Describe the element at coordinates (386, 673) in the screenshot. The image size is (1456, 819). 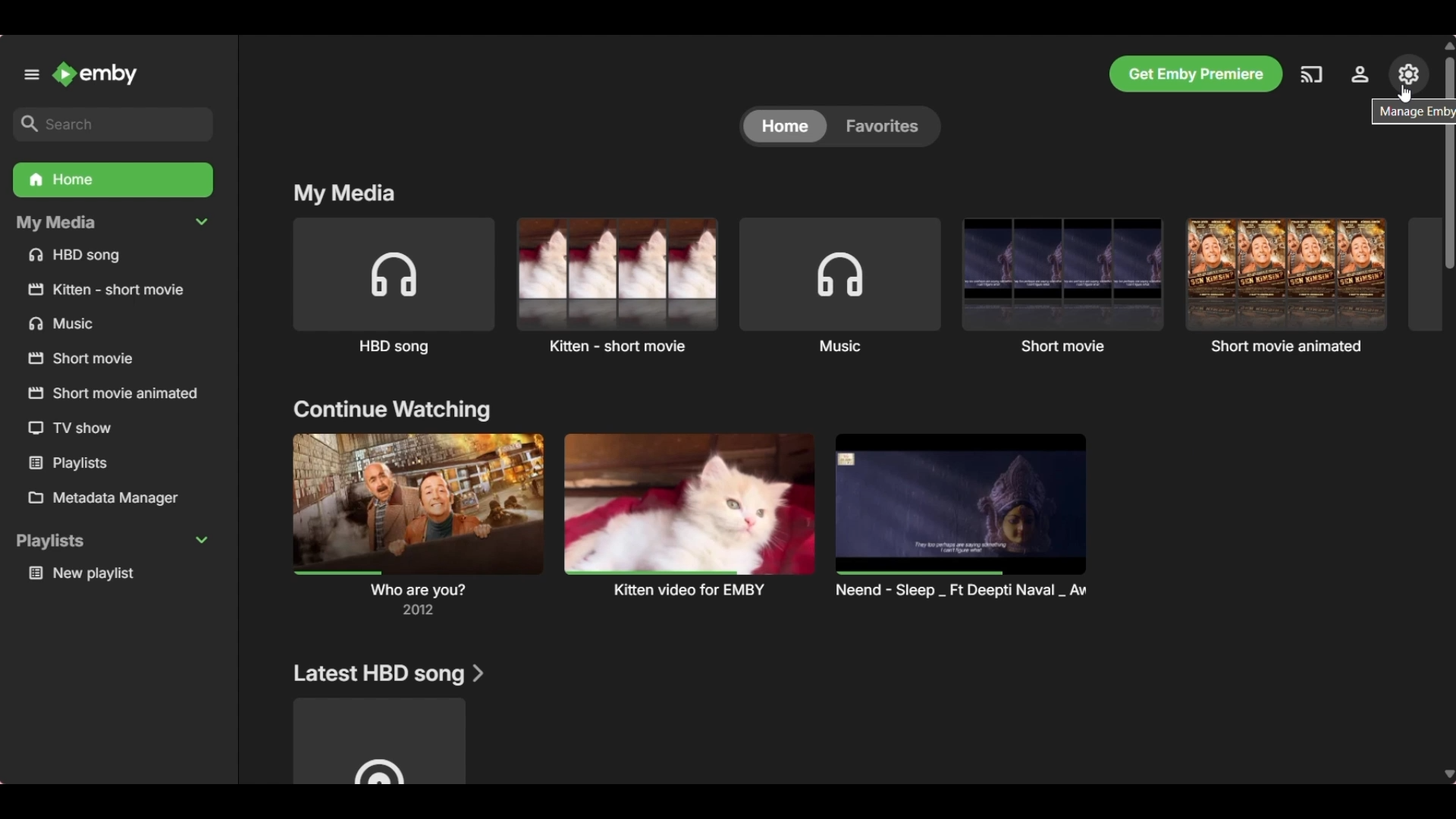
I see `Section title` at that location.